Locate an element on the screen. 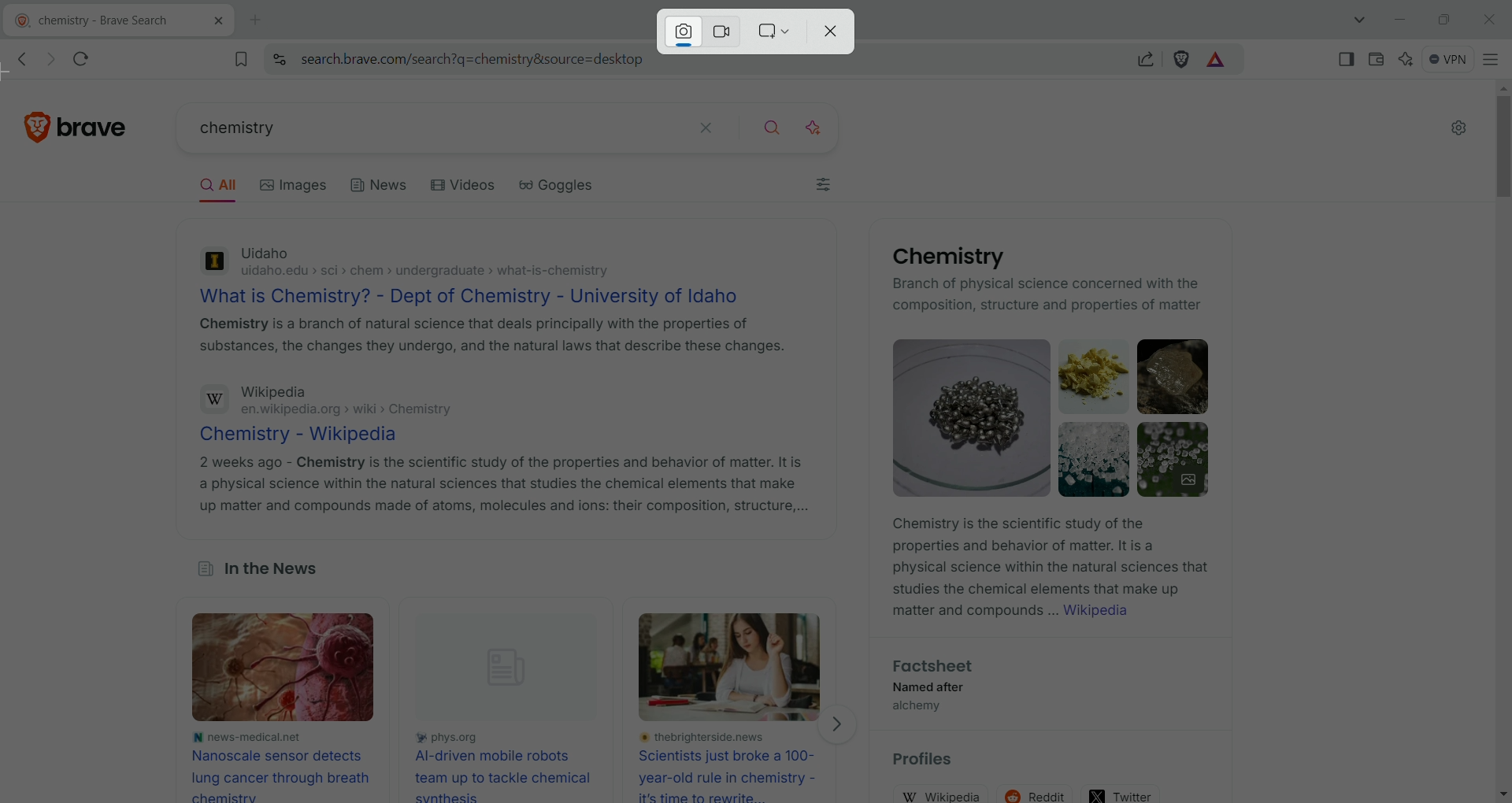 This screenshot has width=1512, height=803. go forward is located at coordinates (48, 60).